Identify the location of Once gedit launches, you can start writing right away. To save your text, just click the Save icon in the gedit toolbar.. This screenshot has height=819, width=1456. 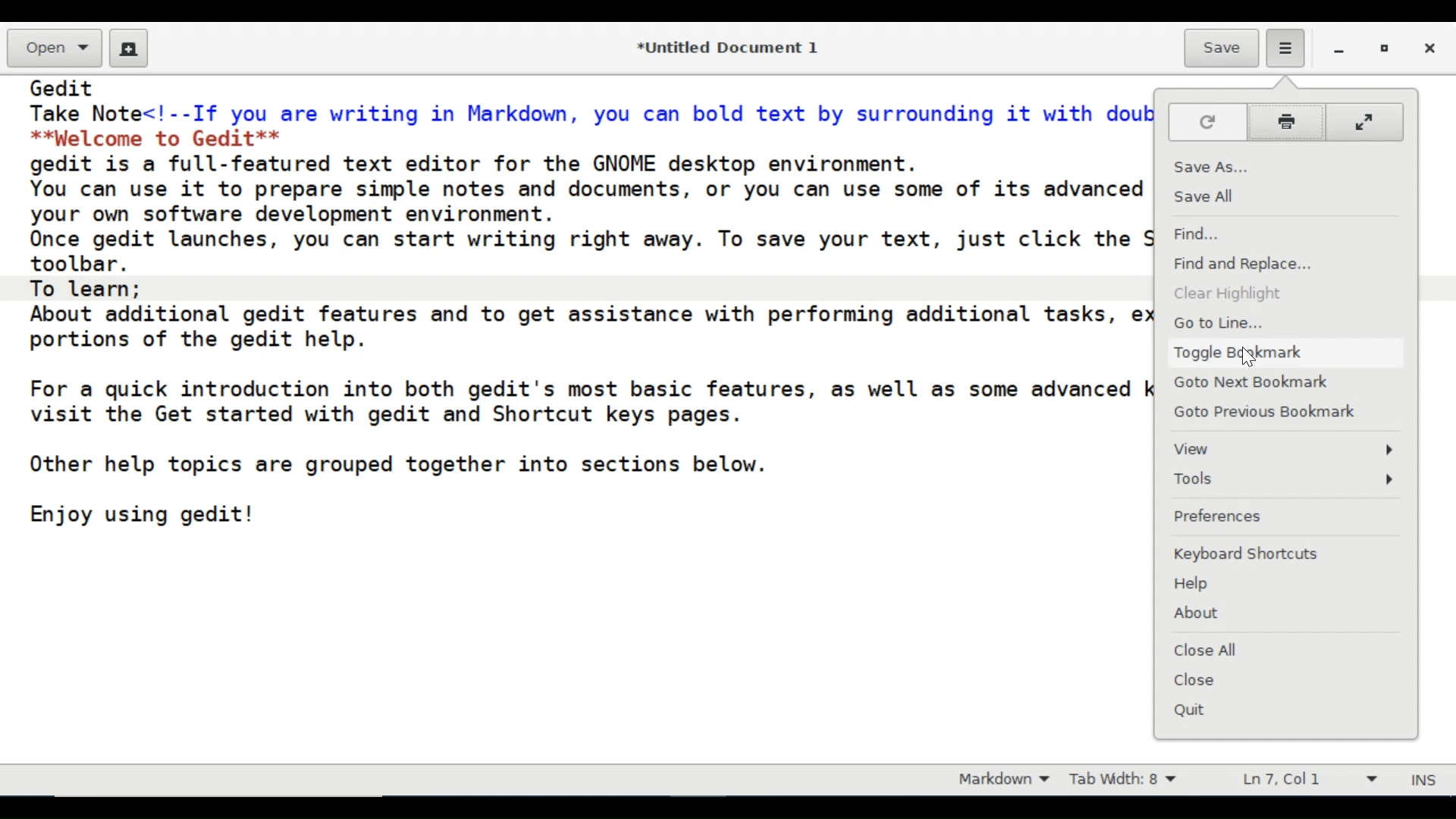
(595, 252).